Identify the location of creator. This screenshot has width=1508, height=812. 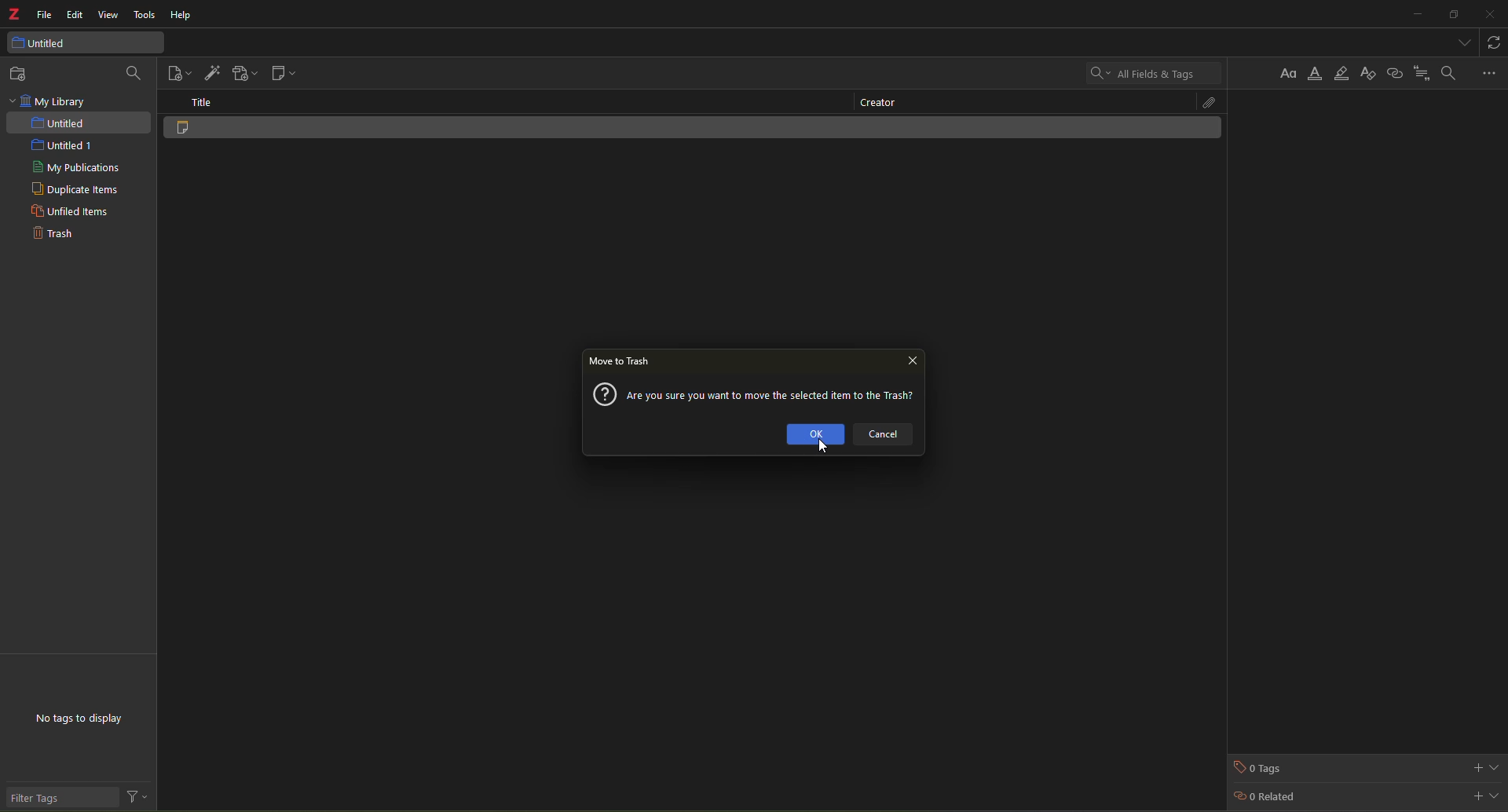
(875, 101).